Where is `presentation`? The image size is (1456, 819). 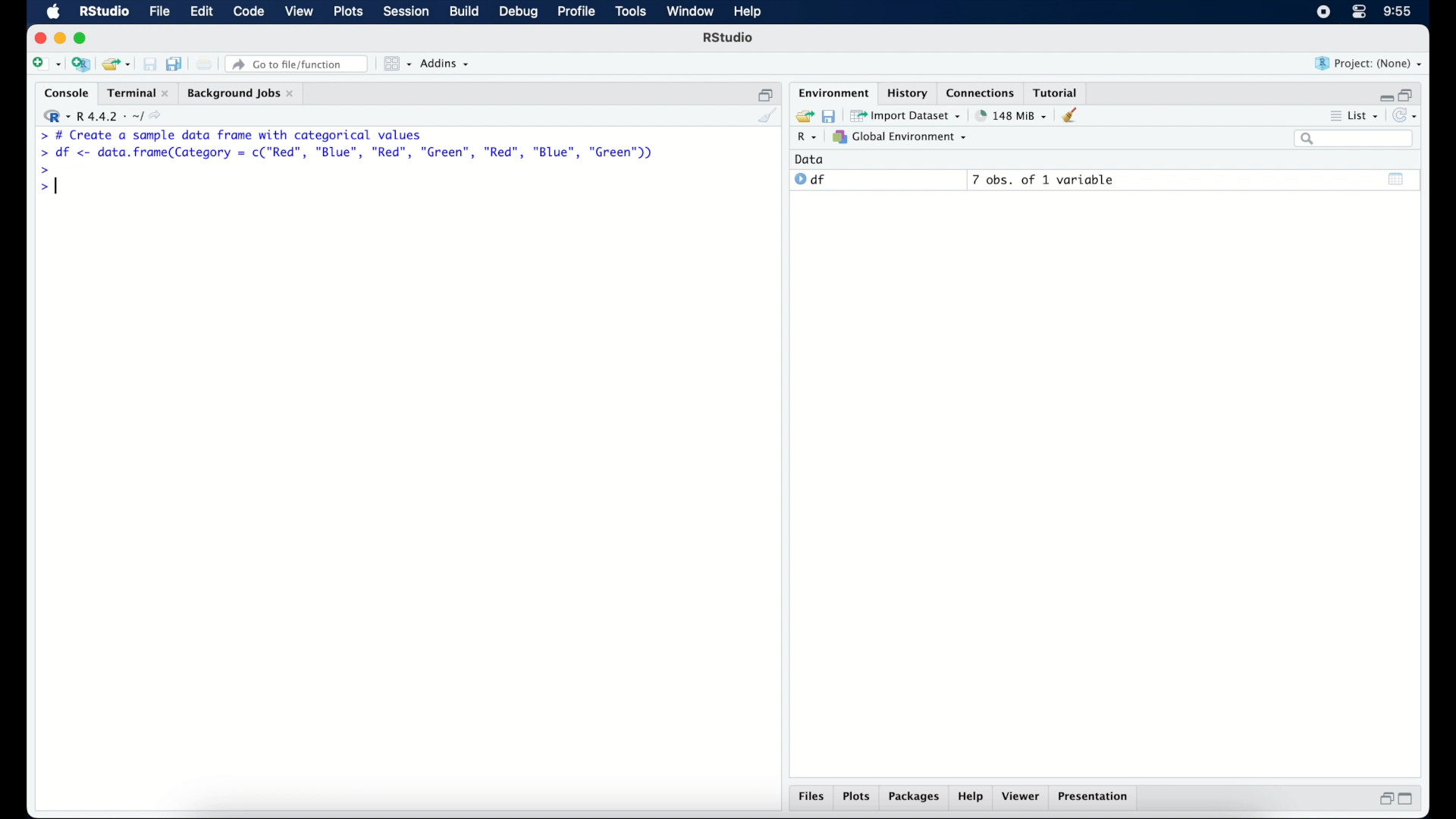 presentation is located at coordinates (1097, 798).